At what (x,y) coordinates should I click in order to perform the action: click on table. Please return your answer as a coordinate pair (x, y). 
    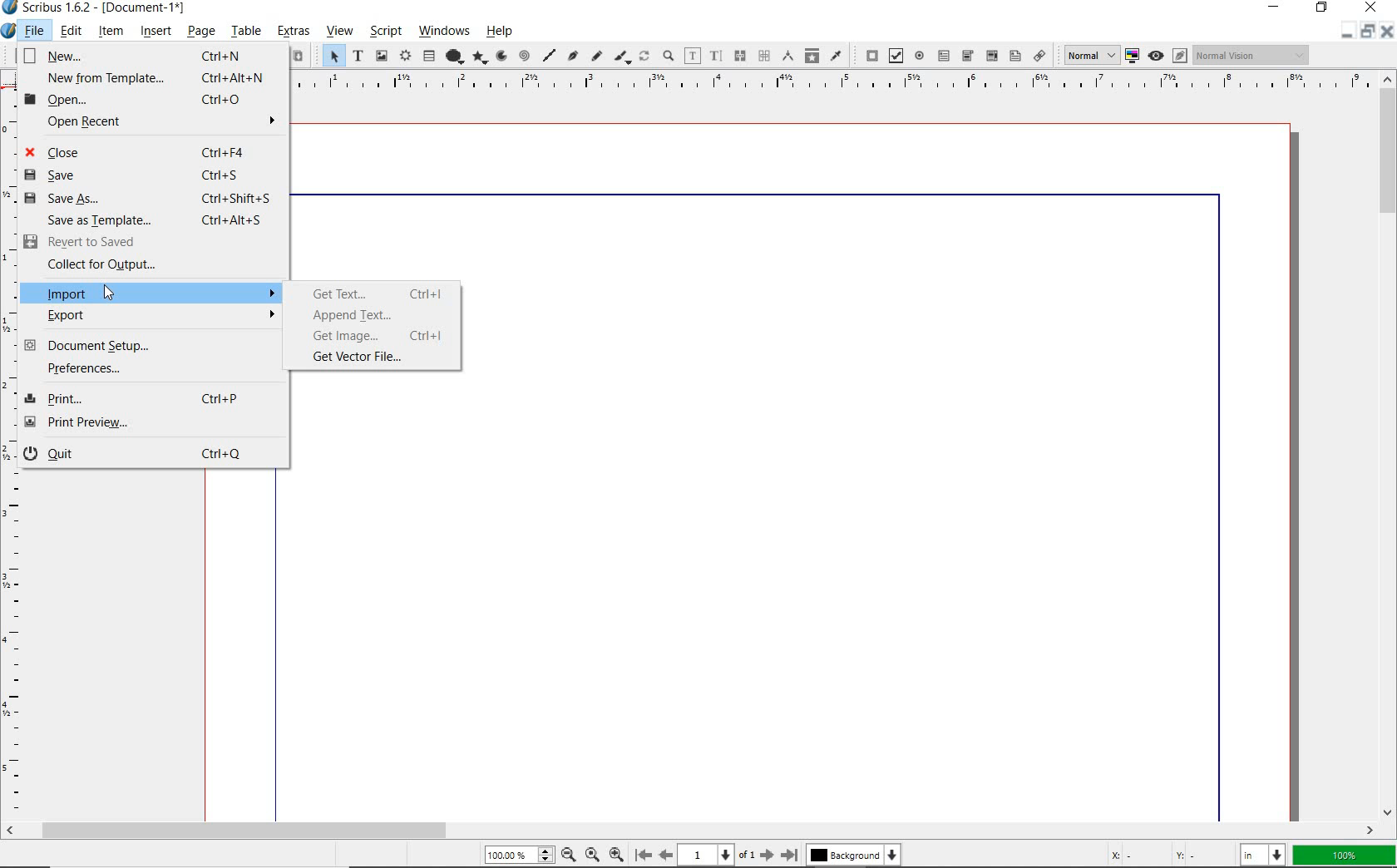
    Looking at the image, I should click on (245, 31).